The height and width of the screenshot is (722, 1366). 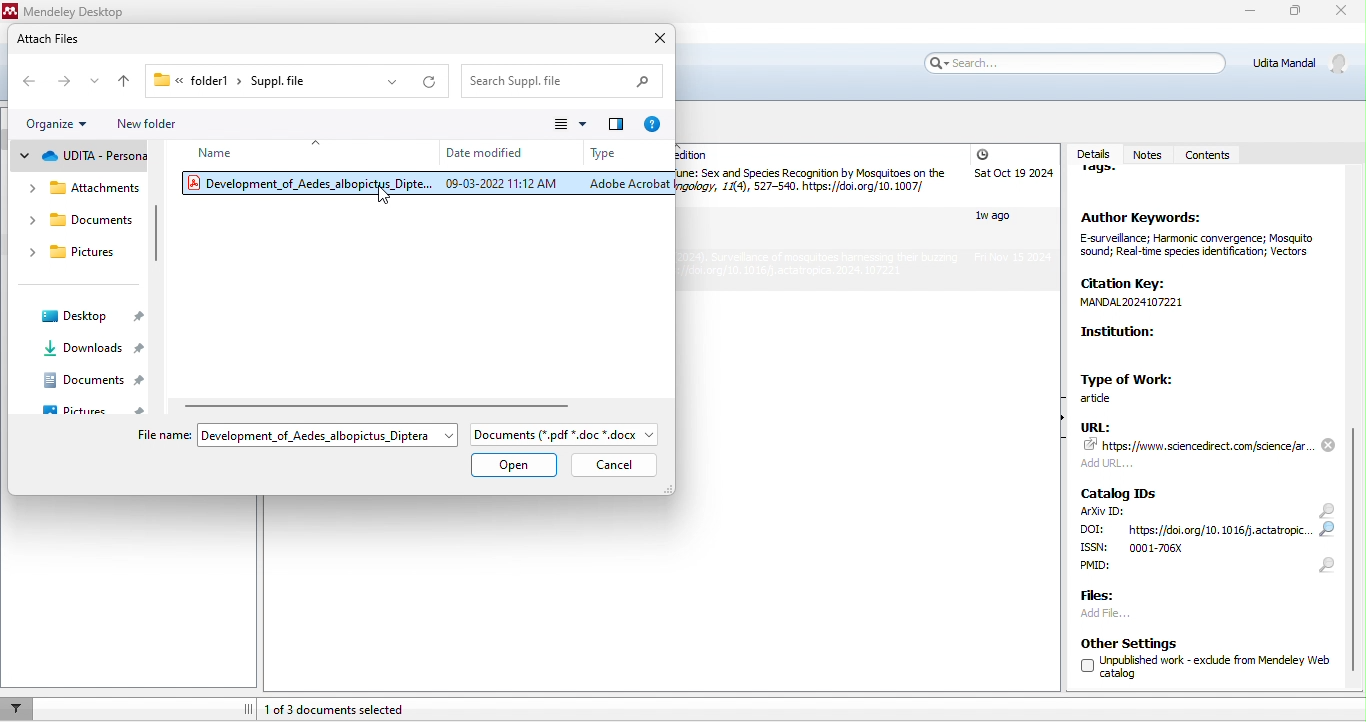 I want to click on file name, so click(x=159, y=434).